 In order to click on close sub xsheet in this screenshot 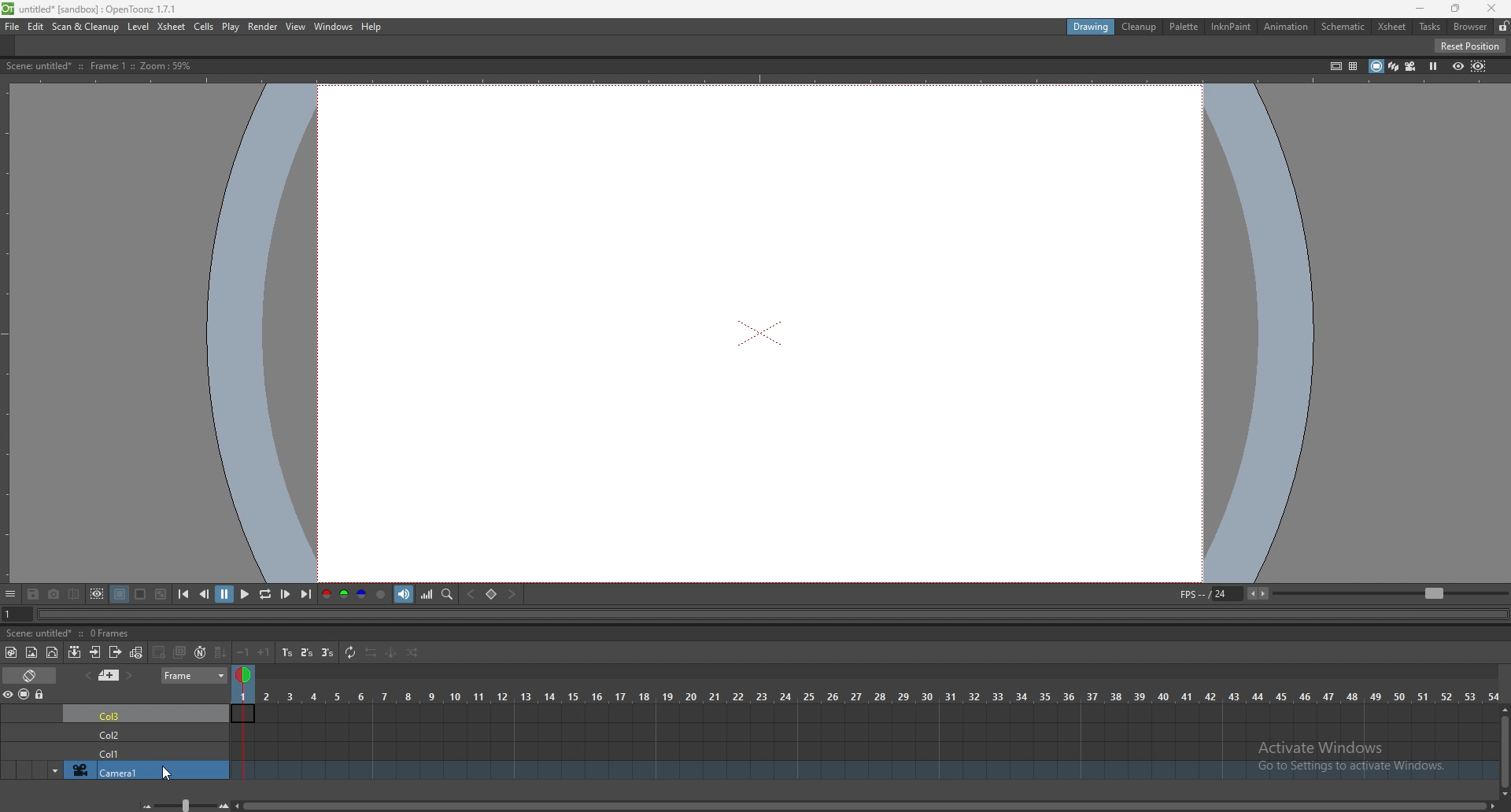, I will do `click(116, 651)`.